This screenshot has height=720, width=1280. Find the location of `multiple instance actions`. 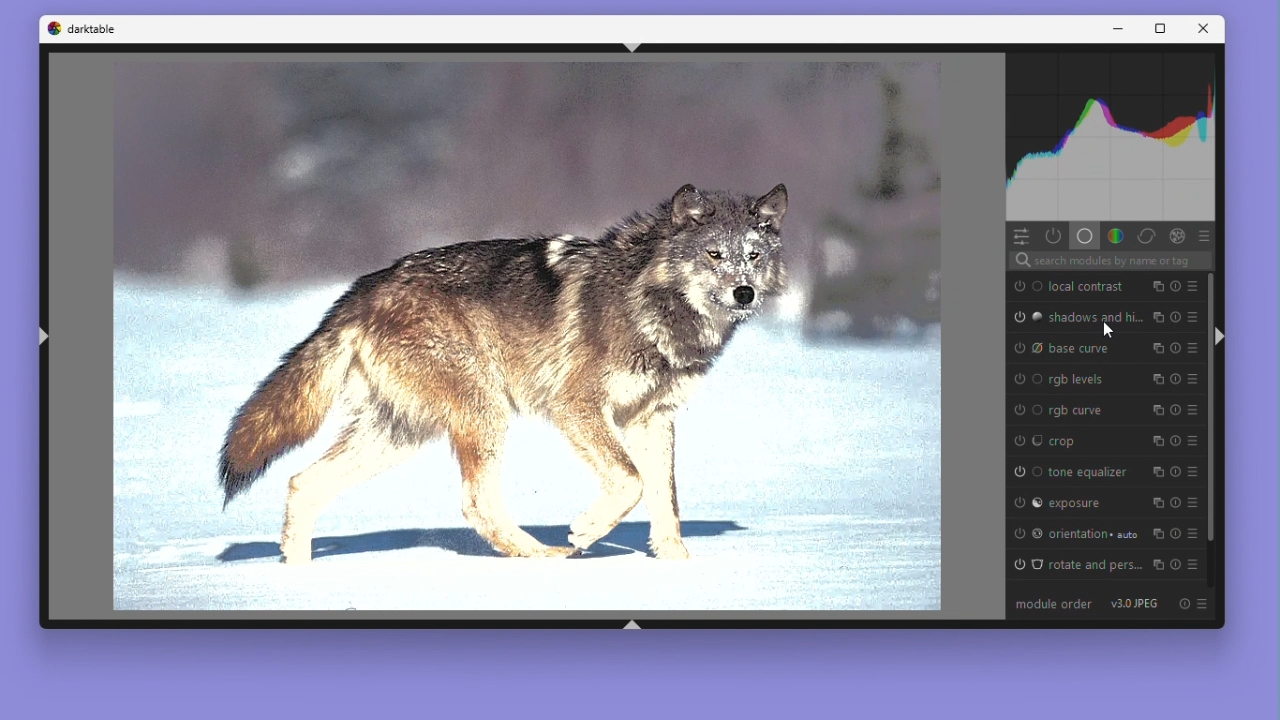

multiple instance actions is located at coordinates (1157, 319).